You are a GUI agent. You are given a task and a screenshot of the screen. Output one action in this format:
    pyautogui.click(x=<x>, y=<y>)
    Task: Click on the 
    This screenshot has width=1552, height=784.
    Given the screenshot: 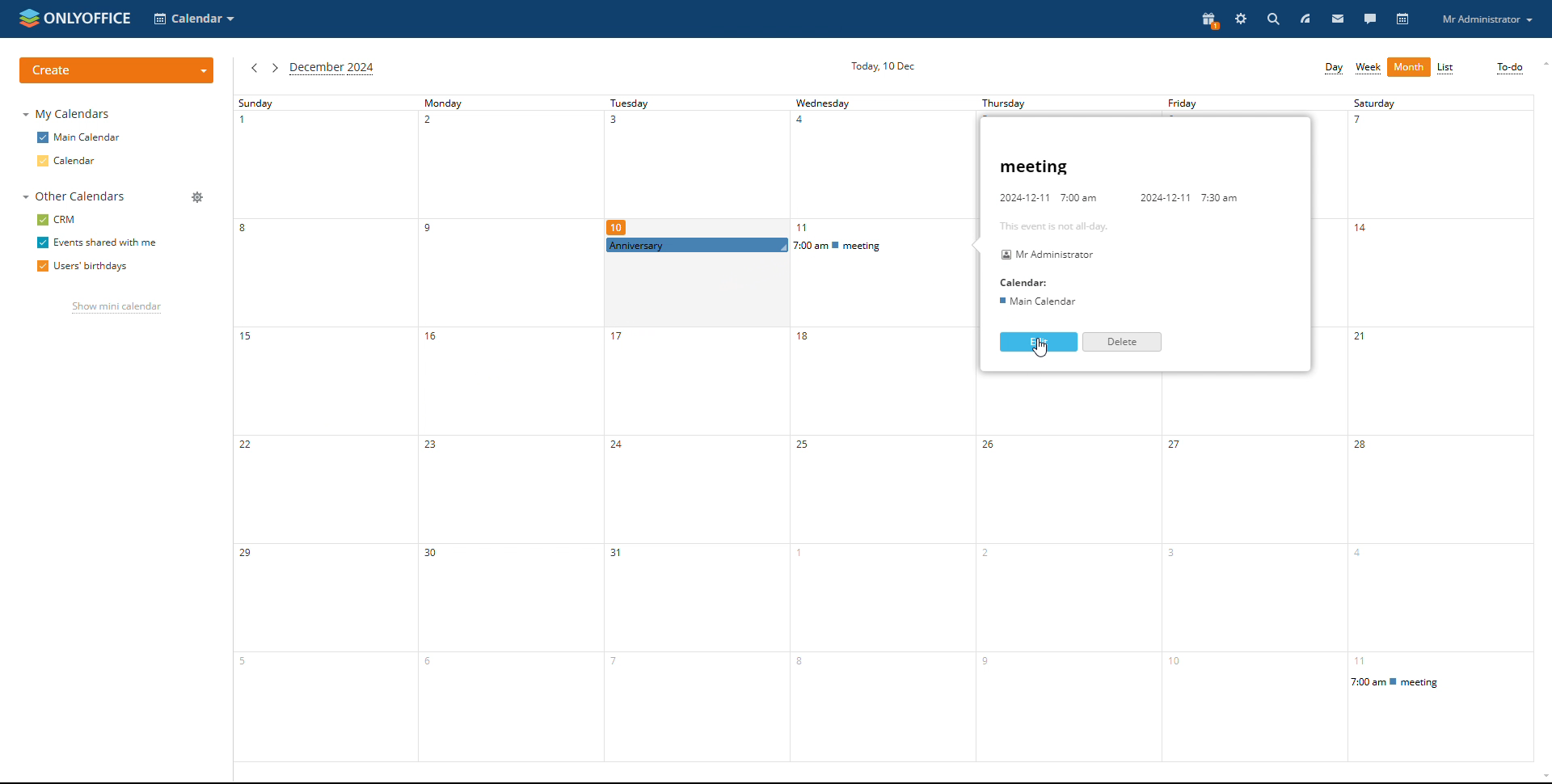 What is the action you would take?
    pyautogui.click(x=690, y=428)
    